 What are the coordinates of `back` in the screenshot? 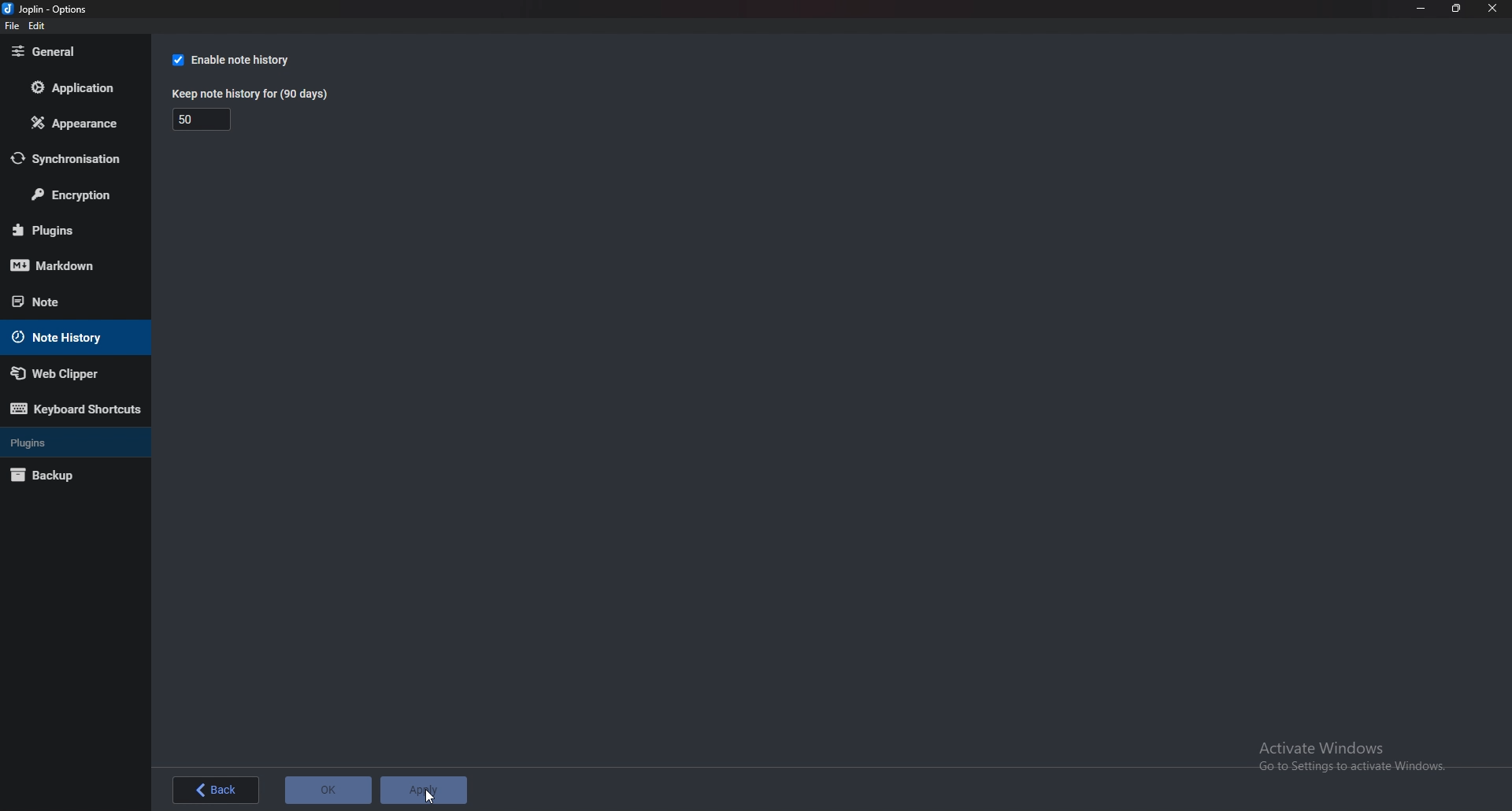 It's located at (217, 791).